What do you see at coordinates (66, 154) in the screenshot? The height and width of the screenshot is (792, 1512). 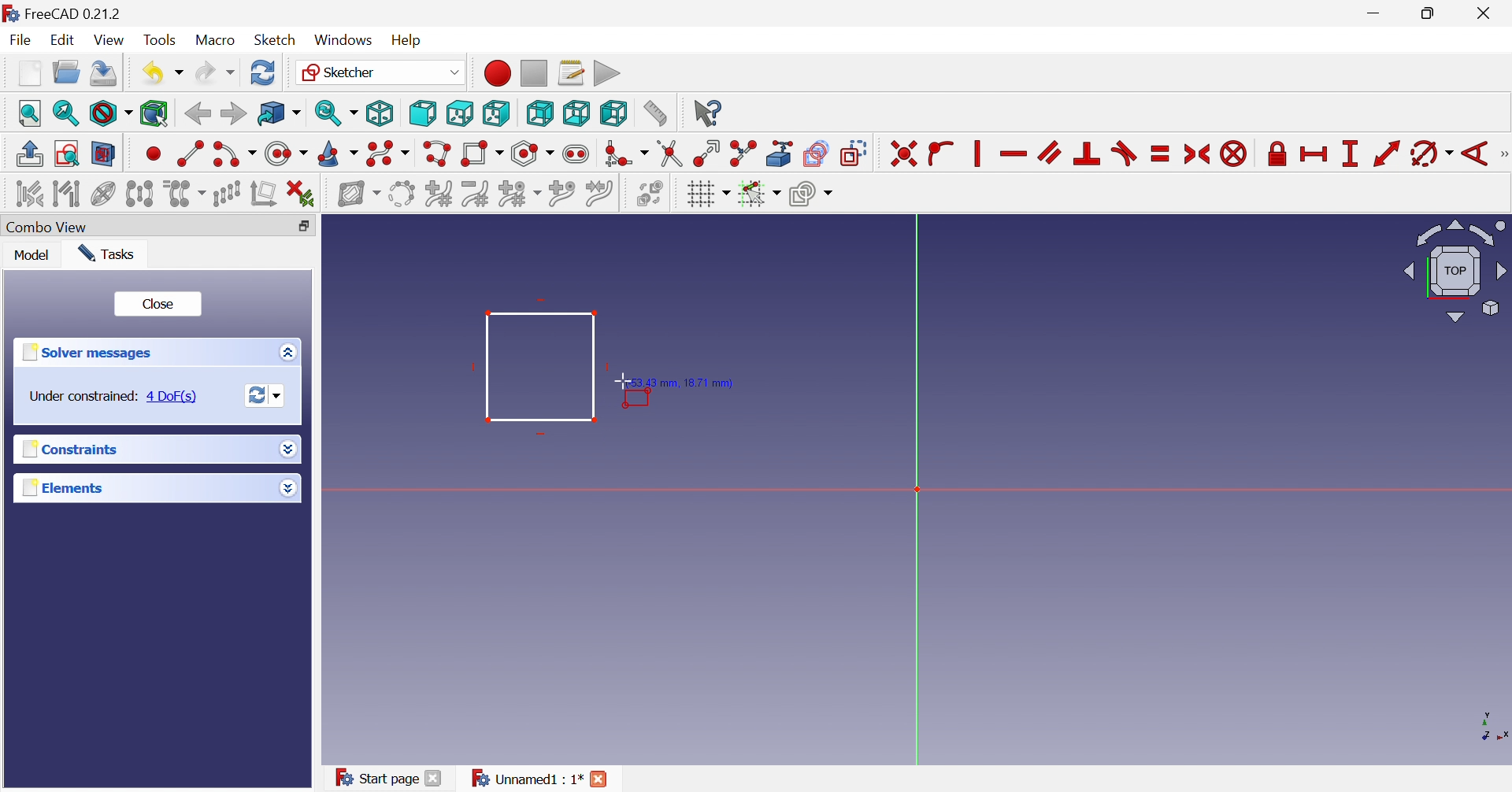 I see `View sketch` at bounding box center [66, 154].